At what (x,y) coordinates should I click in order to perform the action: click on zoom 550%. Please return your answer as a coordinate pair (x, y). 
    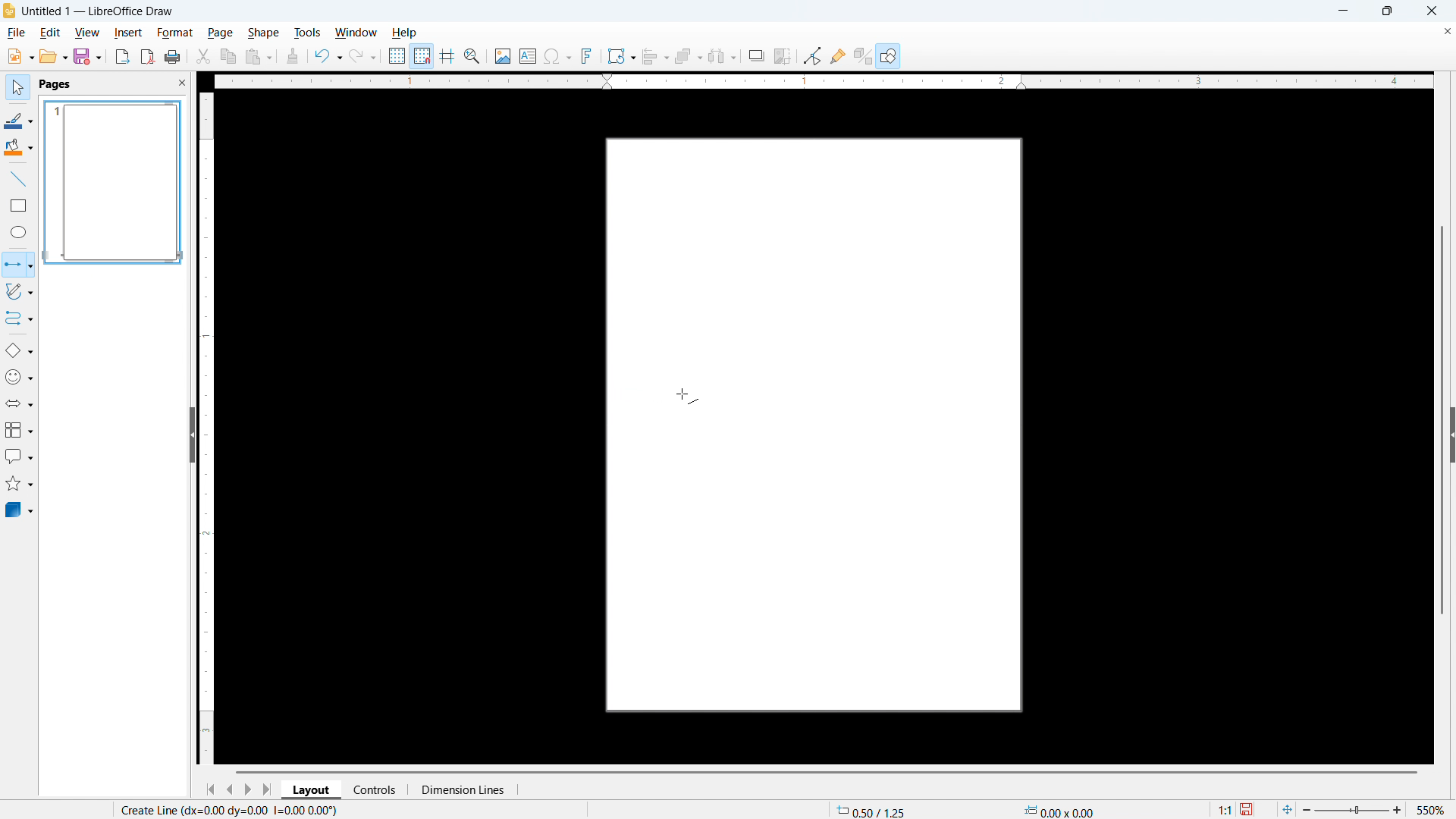
    Looking at the image, I should click on (1379, 808).